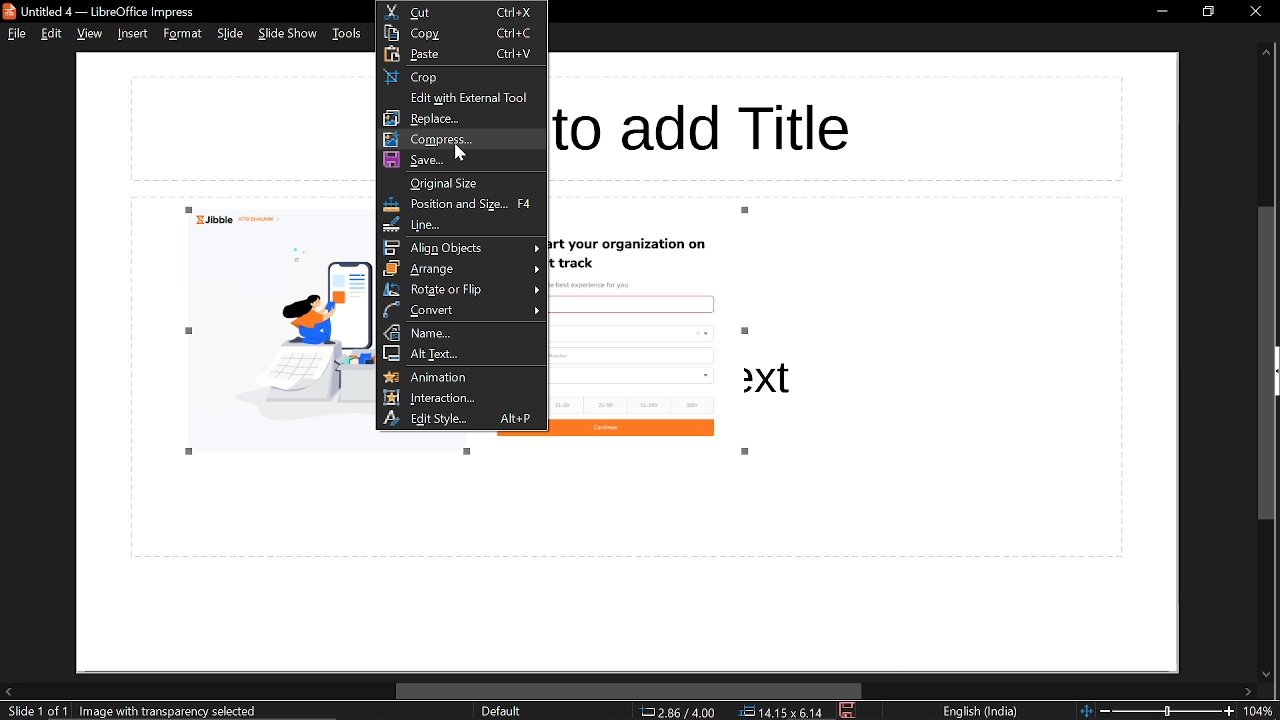  What do you see at coordinates (781, 712) in the screenshot?
I see `position` at bounding box center [781, 712].